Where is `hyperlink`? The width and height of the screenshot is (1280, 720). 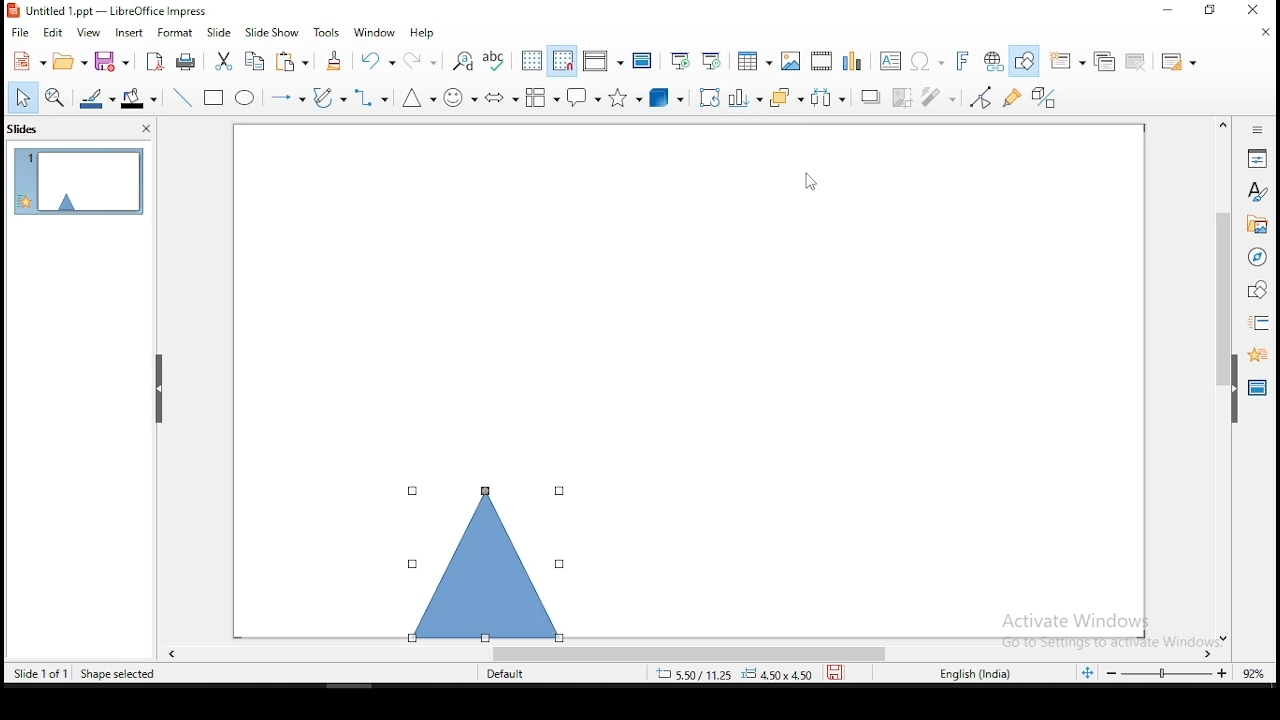
hyperlink is located at coordinates (991, 60).